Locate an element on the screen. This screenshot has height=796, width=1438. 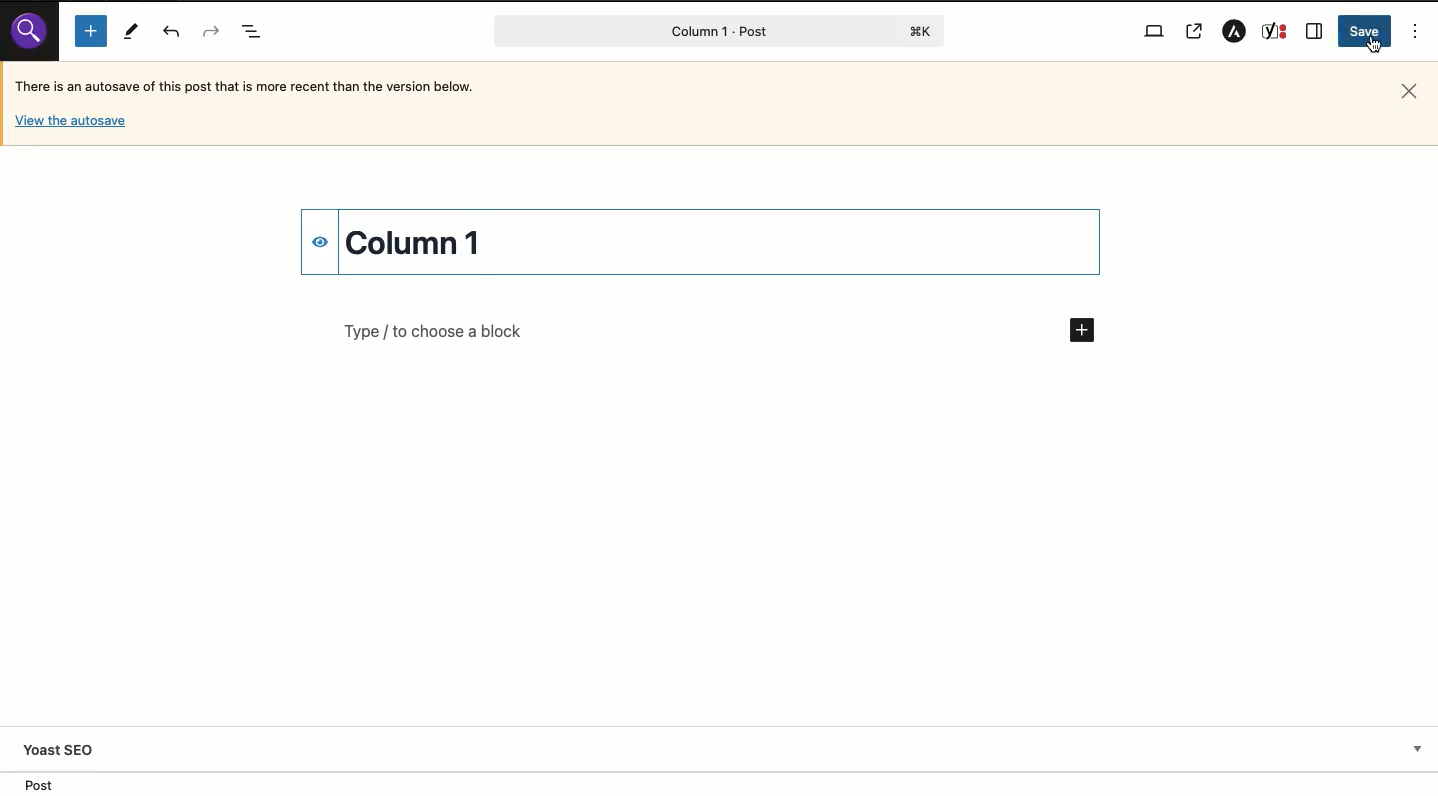
Post is located at coordinates (720, 31).